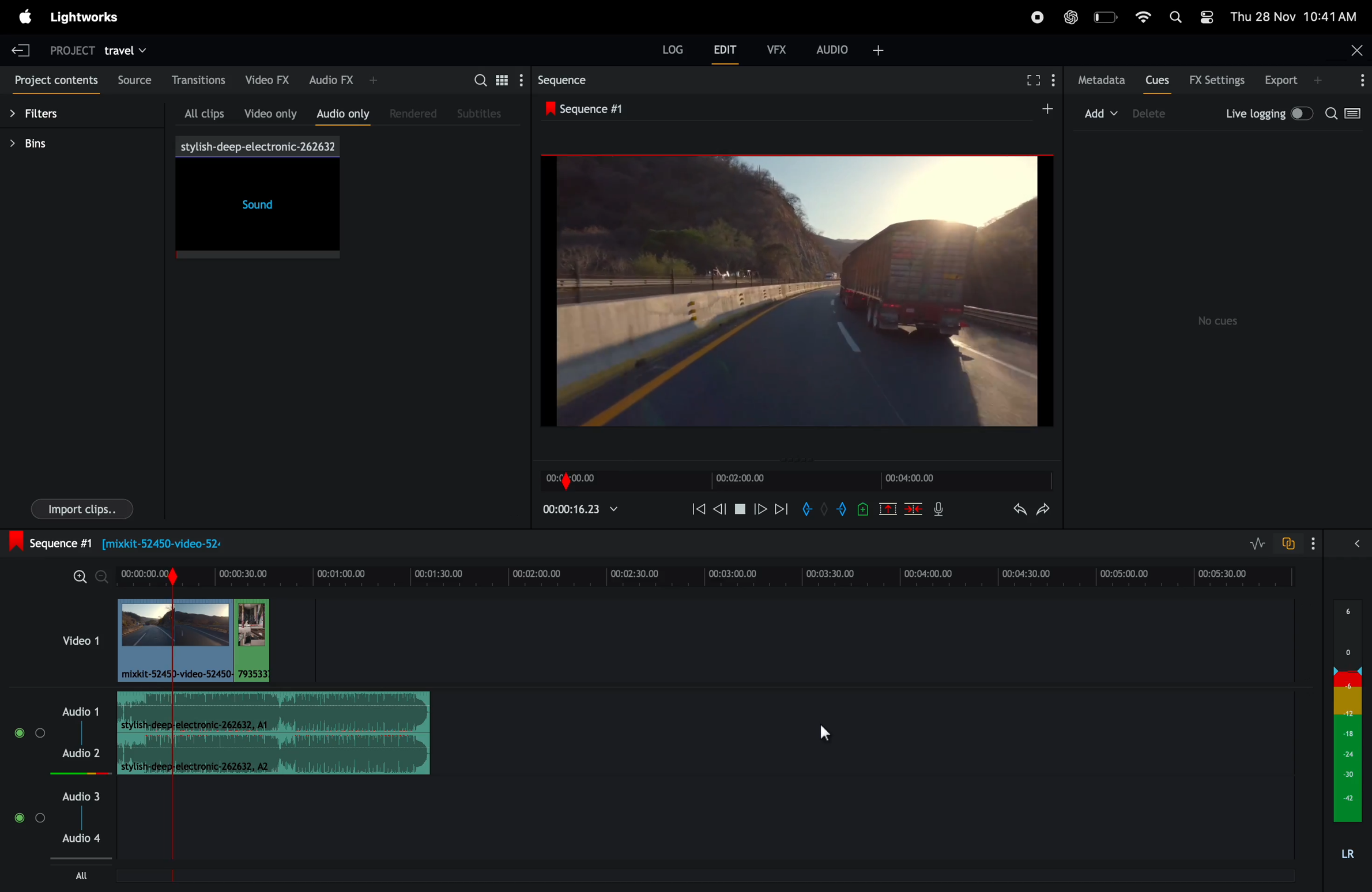 This screenshot has height=892, width=1372. What do you see at coordinates (691, 109) in the screenshot?
I see `sequence 1` at bounding box center [691, 109].